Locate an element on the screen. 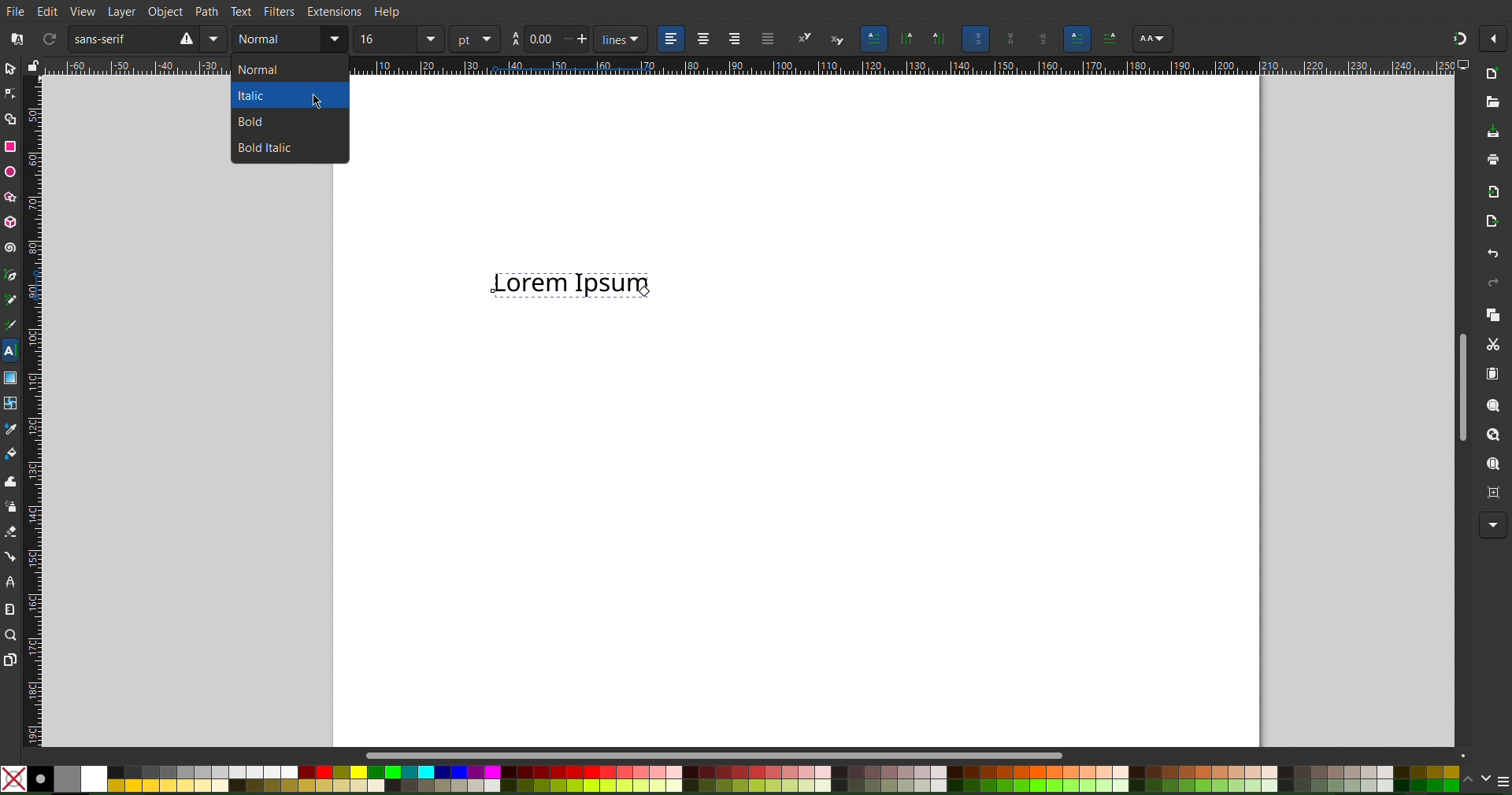 The width and height of the screenshot is (1512, 795). Open Export is located at coordinates (1489, 223).